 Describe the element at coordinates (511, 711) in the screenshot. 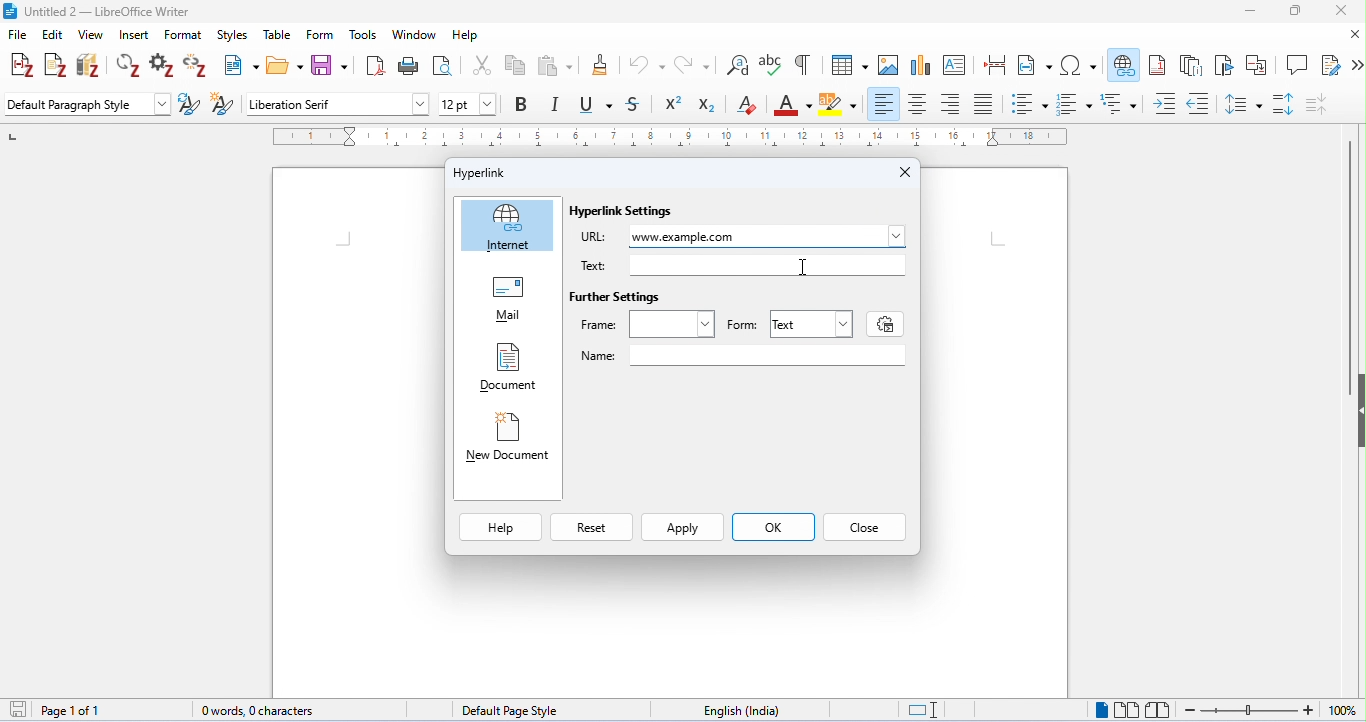

I see `default page style` at that location.